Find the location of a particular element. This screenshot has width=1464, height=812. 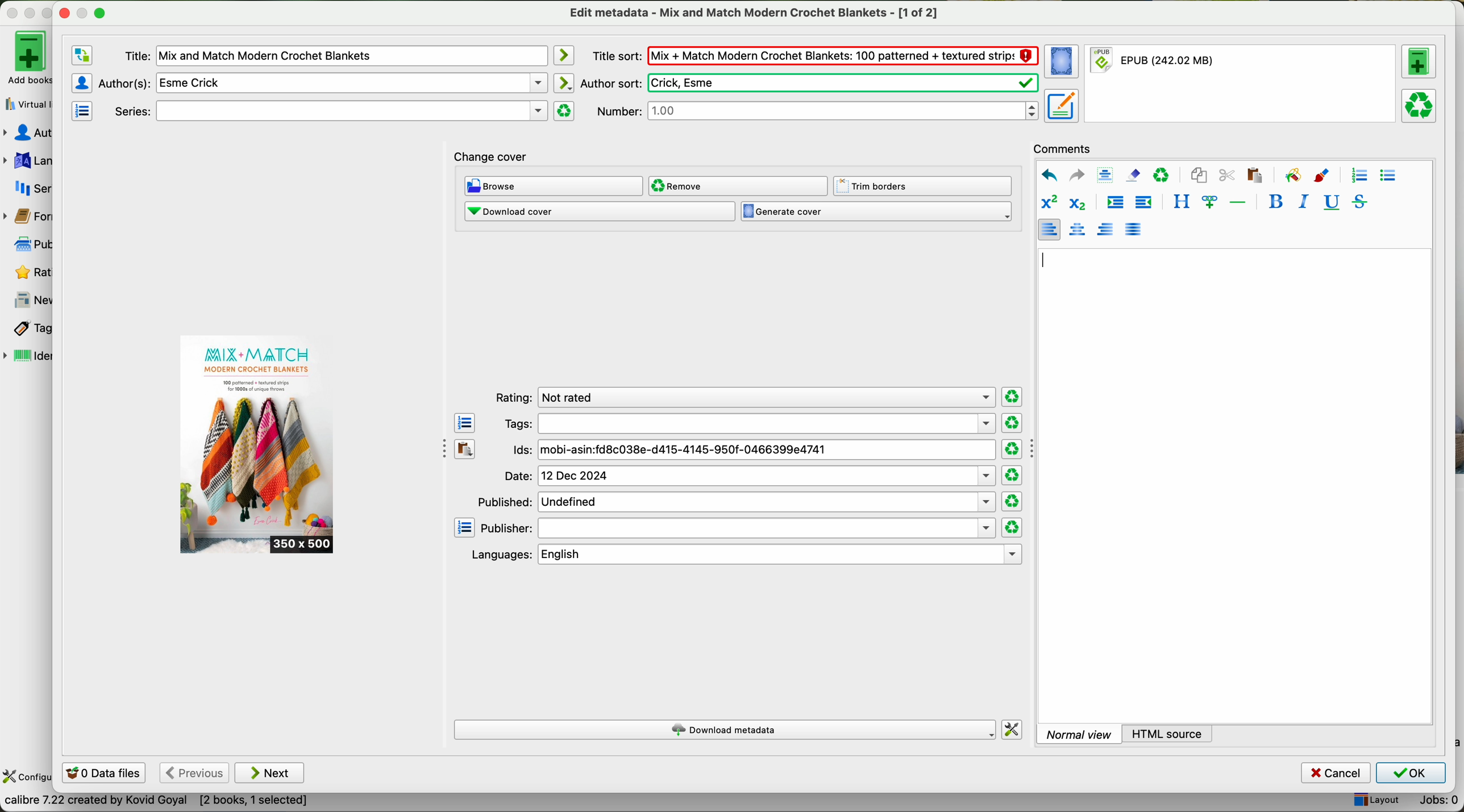

published is located at coordinates (735, 501).